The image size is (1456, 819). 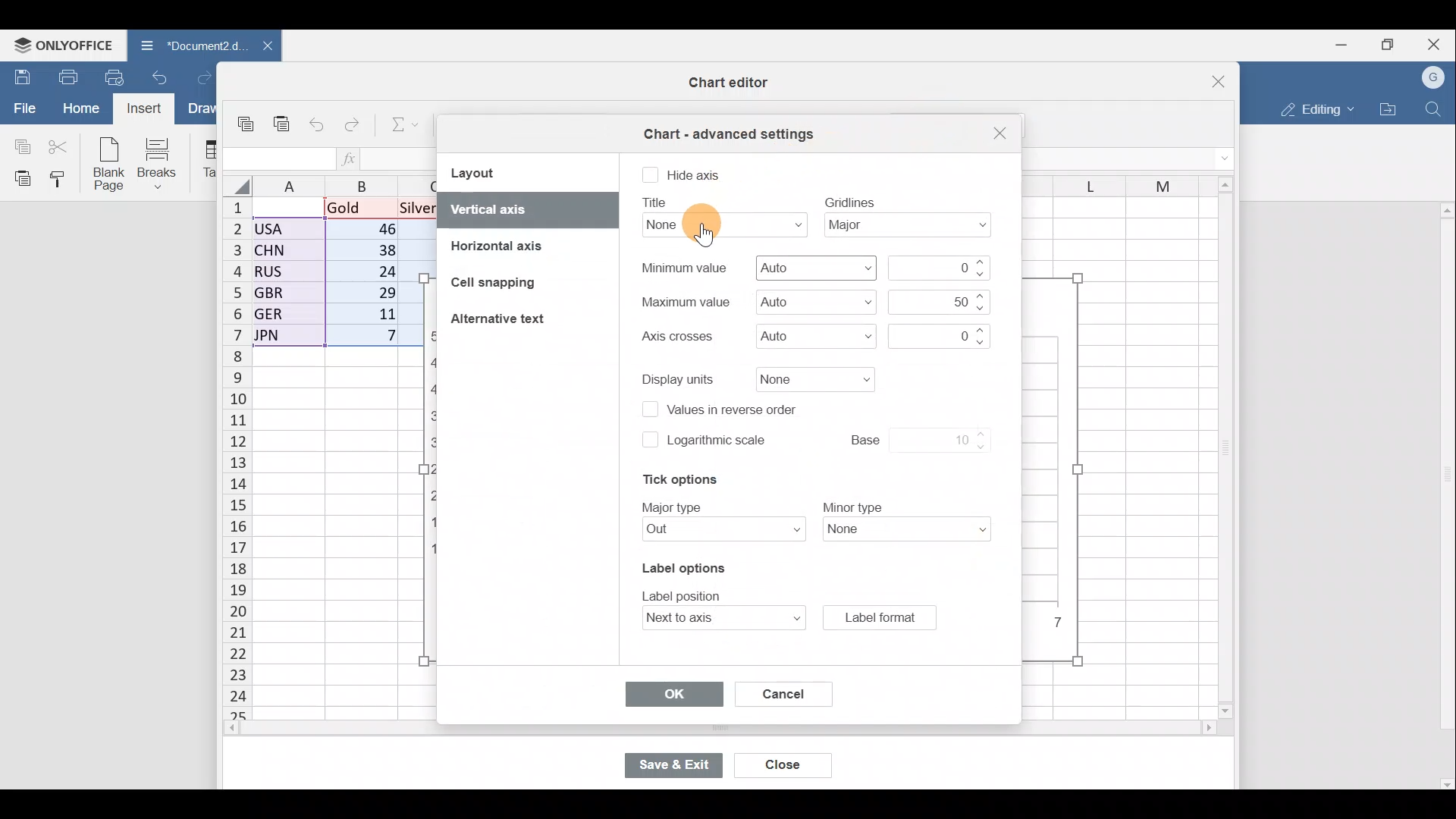 What do you see at coordinates (675, 337) in the screenshot?
I see `text` at bounding box center [675, 337].